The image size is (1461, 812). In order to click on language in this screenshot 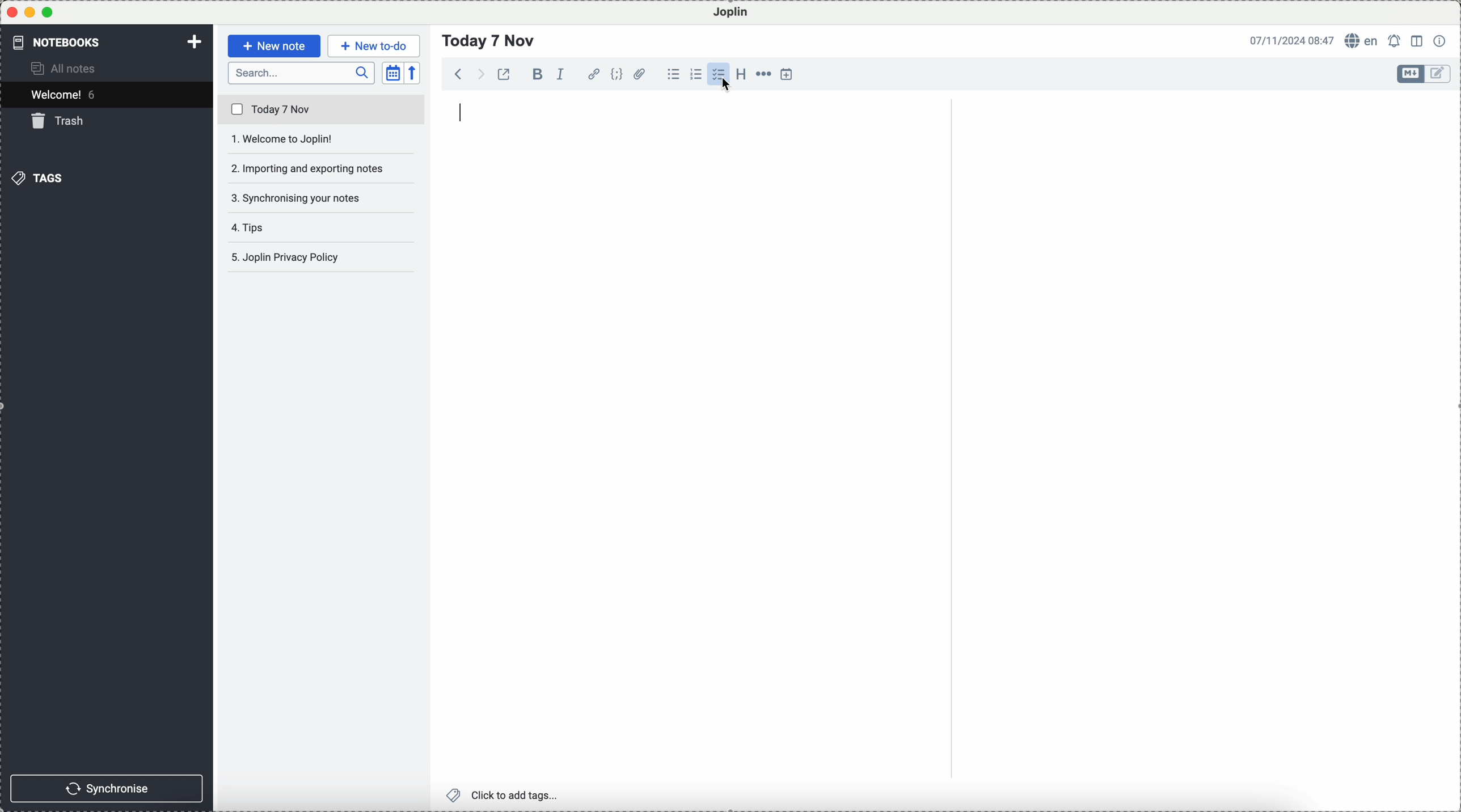, I will do `click(1362, 40)`.